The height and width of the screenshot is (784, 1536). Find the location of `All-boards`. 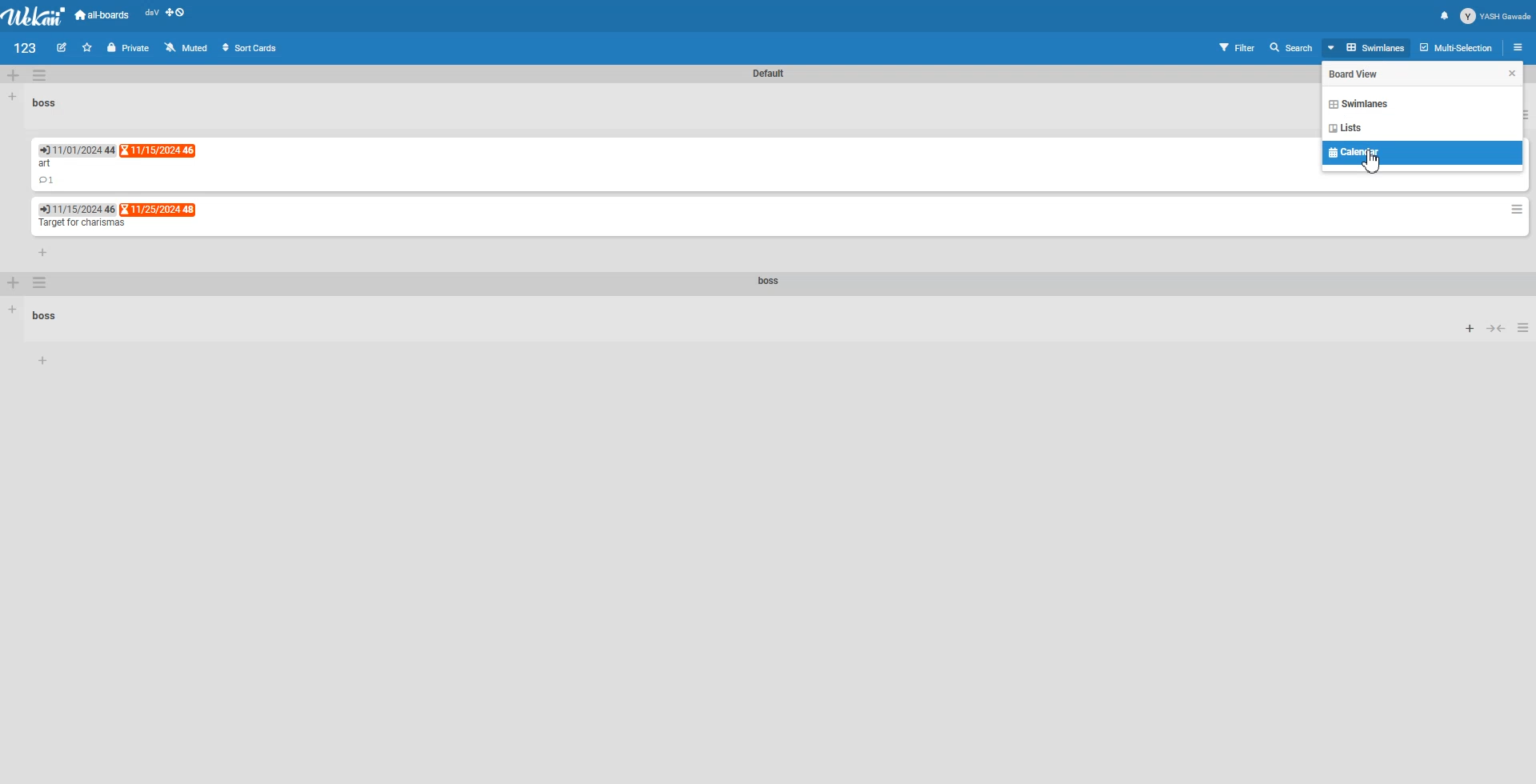

All-boards is located at coordinates (103, 14).